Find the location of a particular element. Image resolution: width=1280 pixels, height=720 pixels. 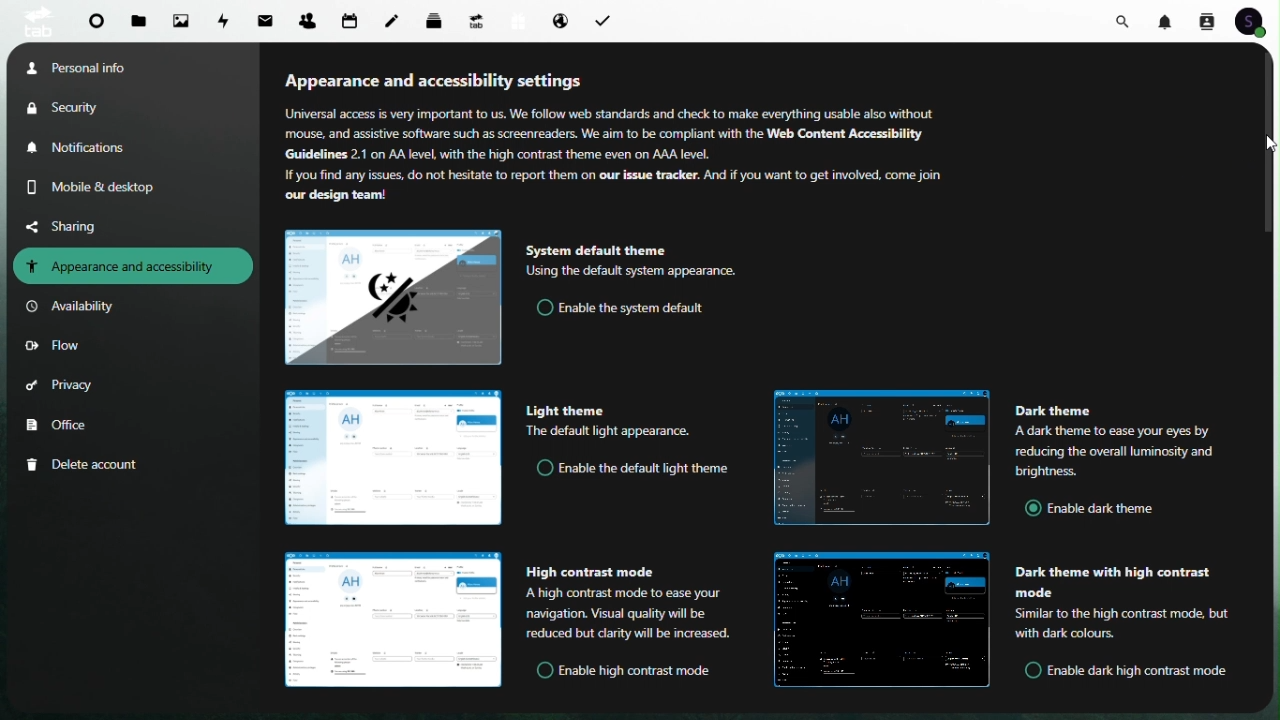

Calendar is located at coordinates (350, 20).